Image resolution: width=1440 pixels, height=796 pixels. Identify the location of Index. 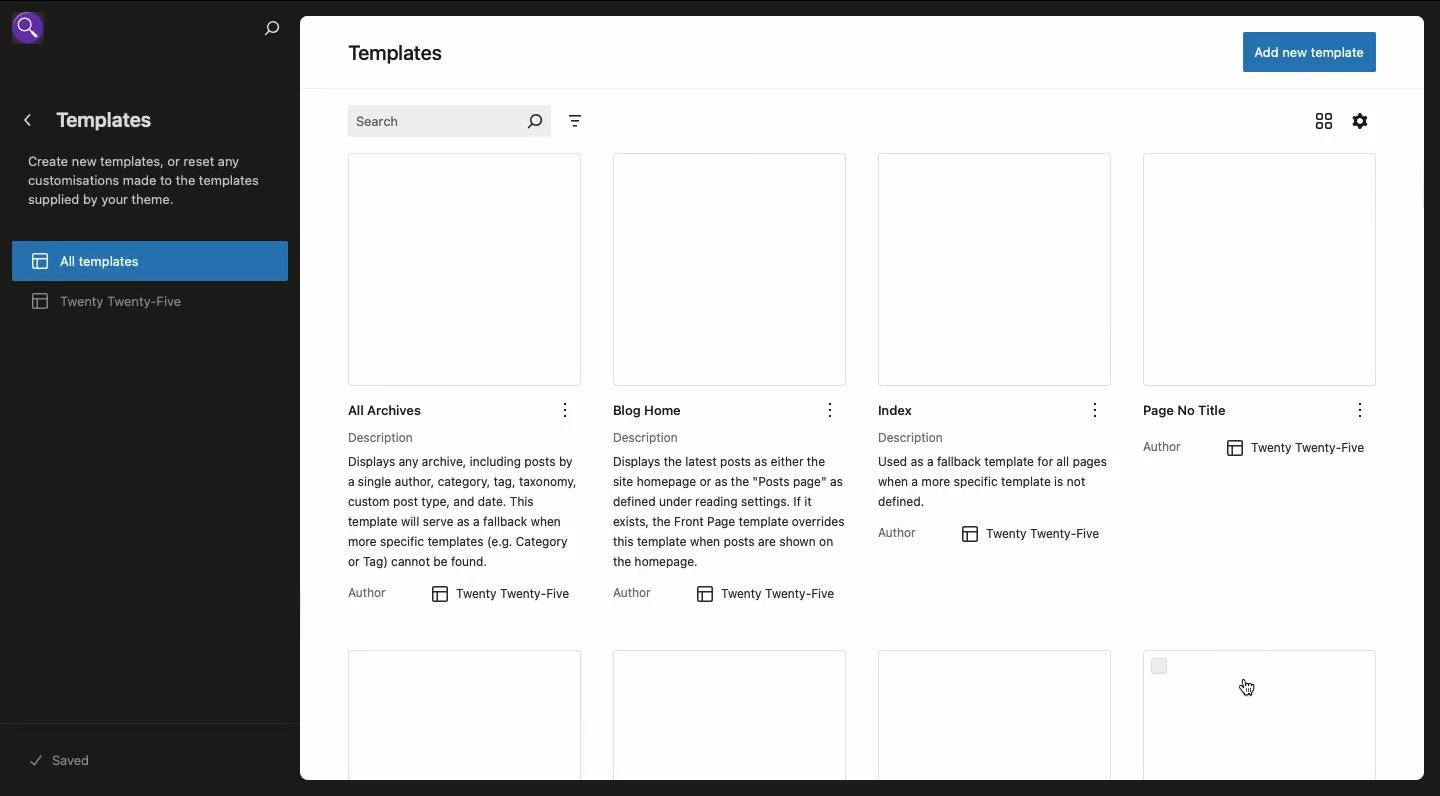
(943, 286).